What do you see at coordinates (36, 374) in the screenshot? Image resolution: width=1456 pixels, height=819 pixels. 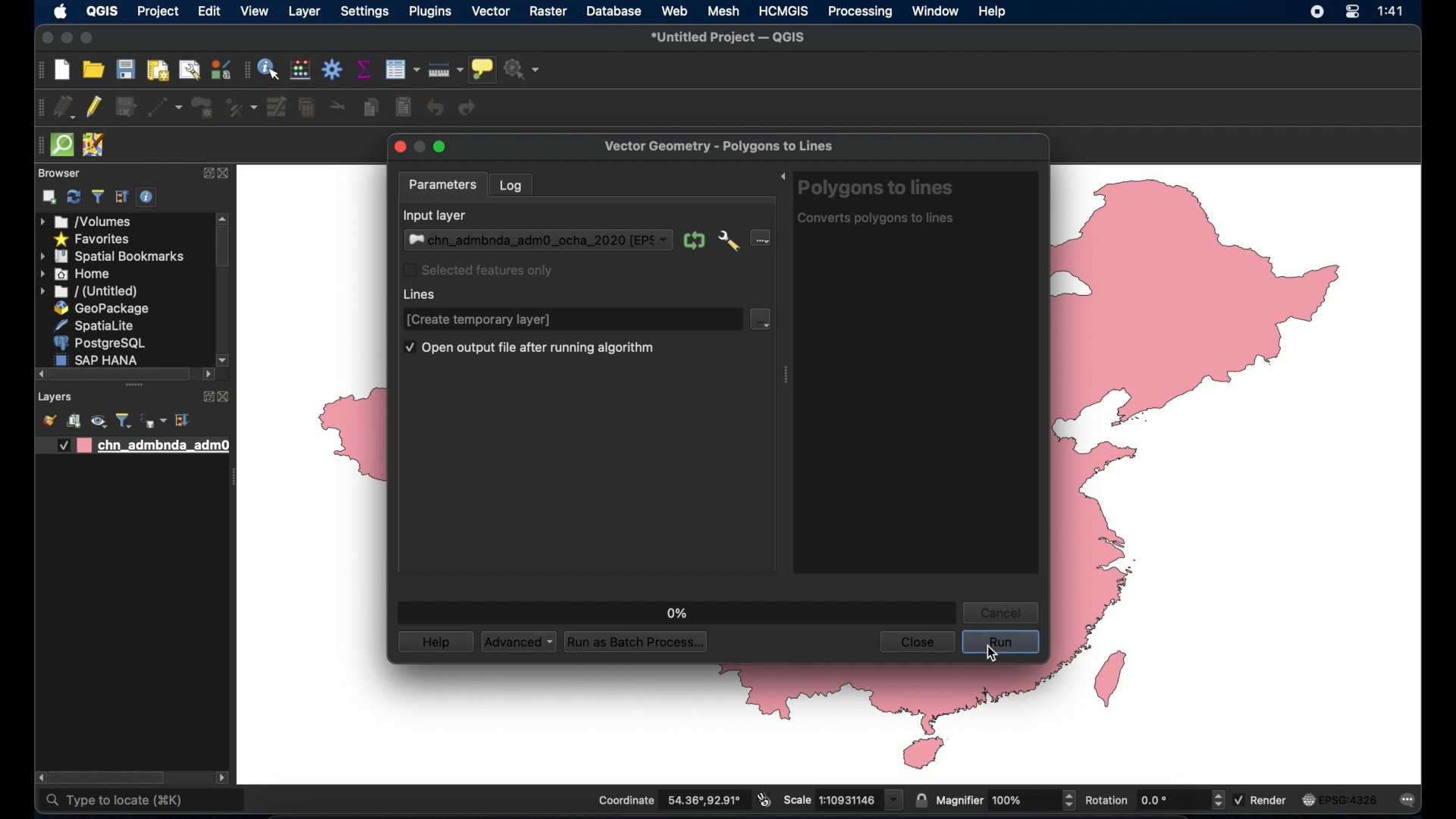 I see `scroll left arrow` at bounding box center [36, 374].